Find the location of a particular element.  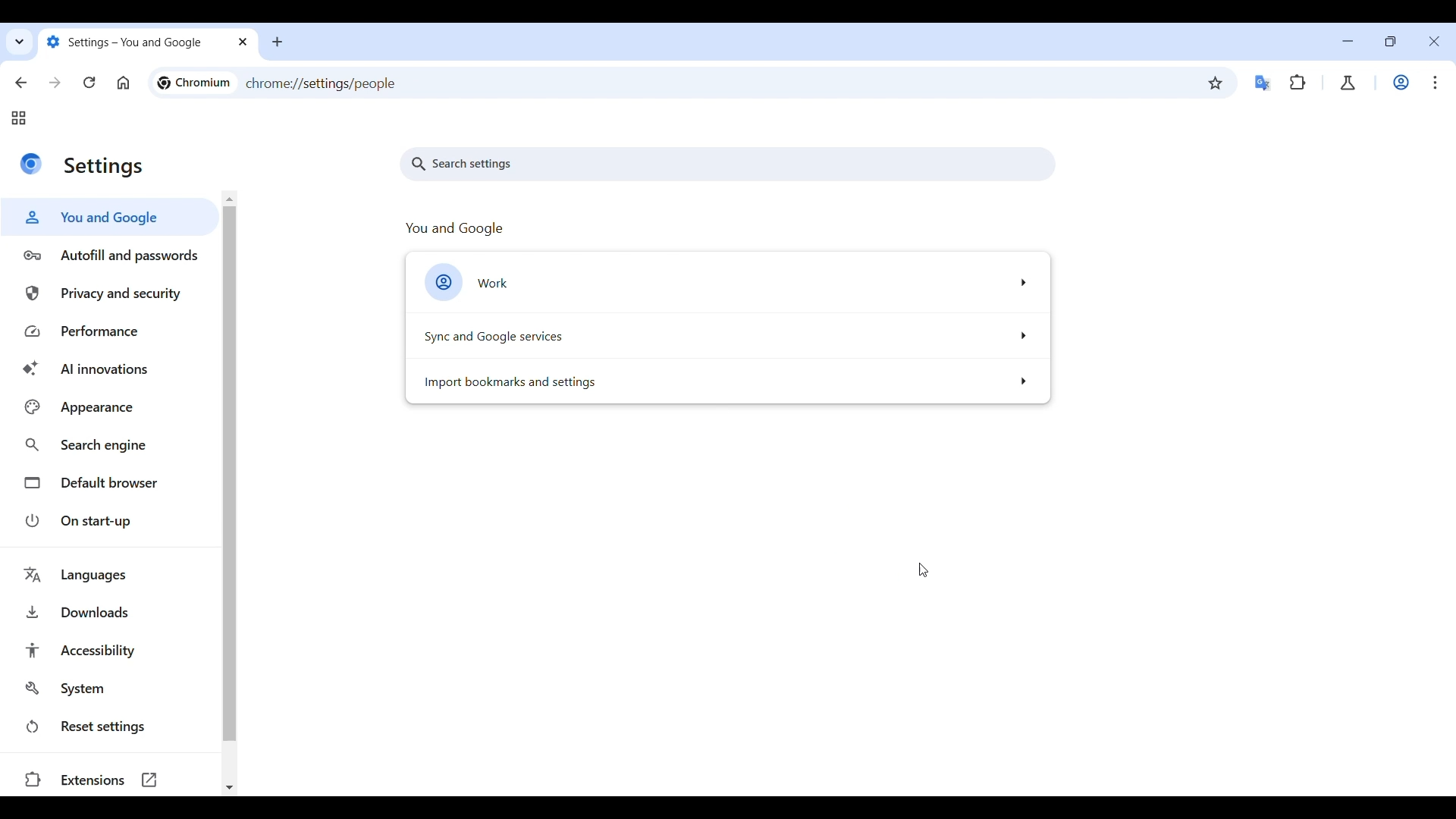

Languages is located at coordinates (110, 576).